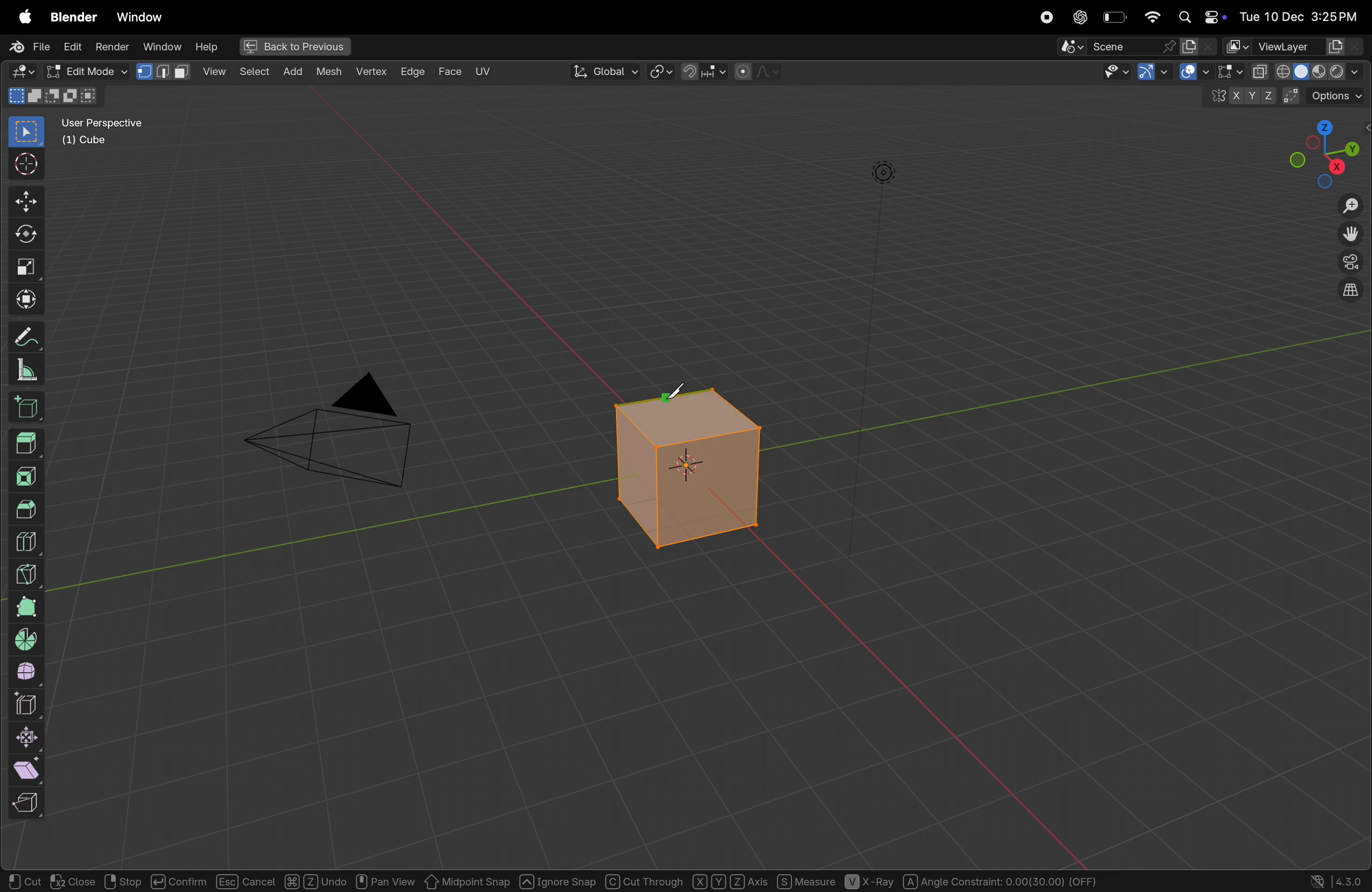  What do you see at coordinates (25, 339) in the screenshot?
I see `annotate` at bounding box center [25, 339].